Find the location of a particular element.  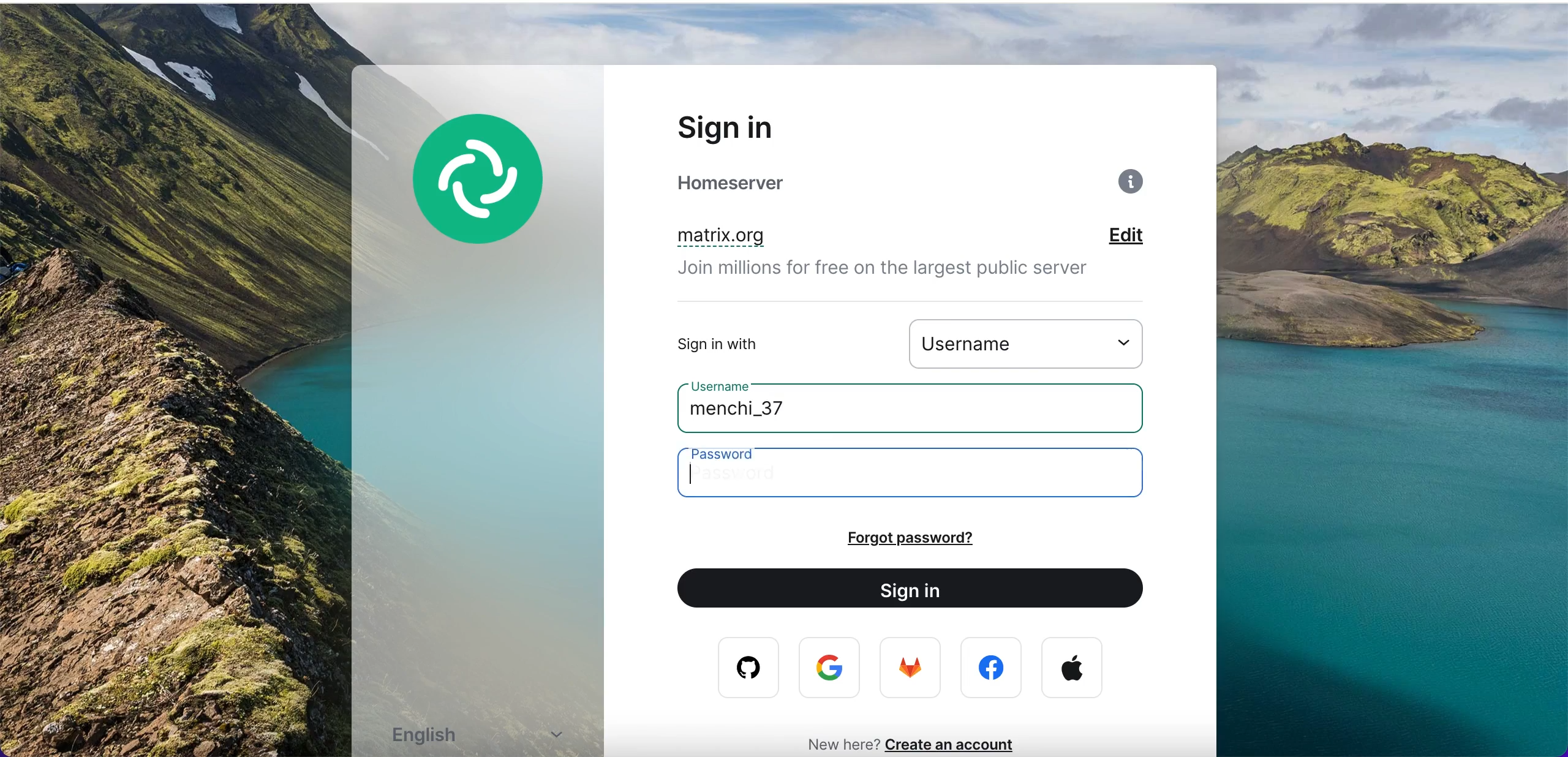

create an account is located at coordinates (957, 744).